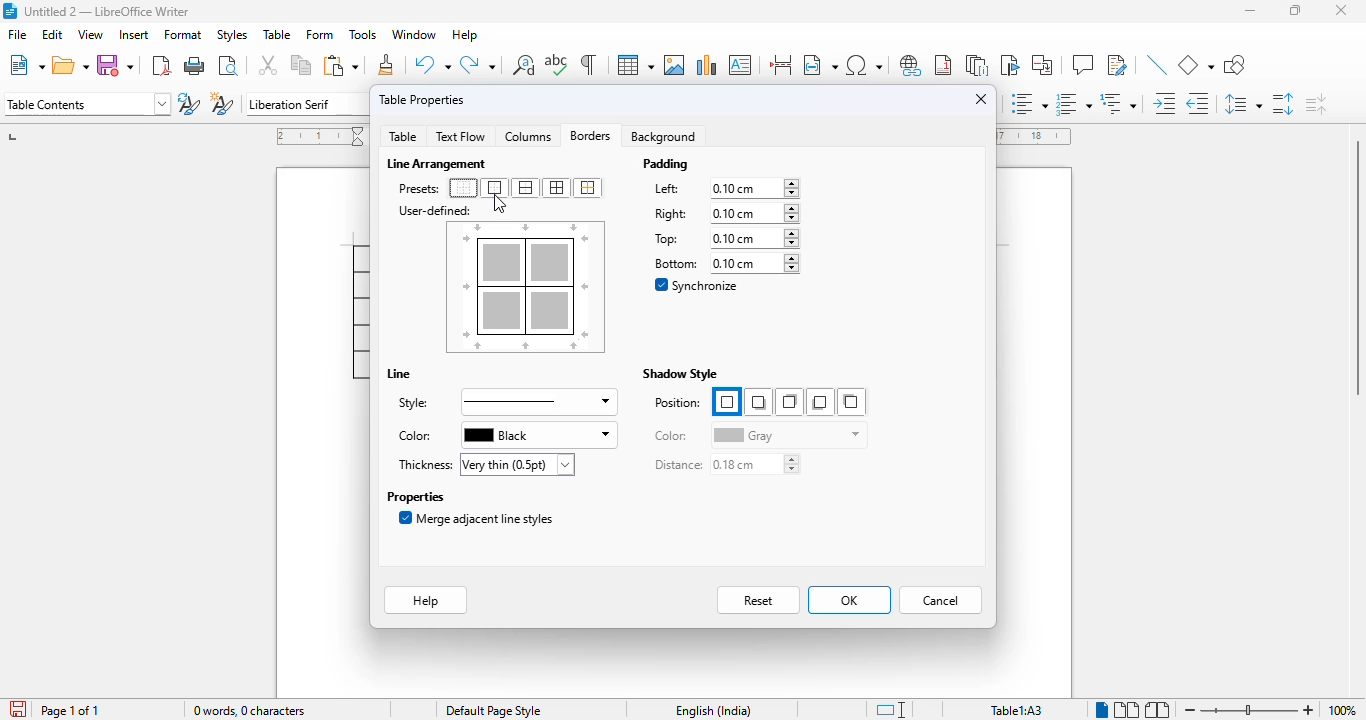 This screenshot has height=720, width=1366. Describe the element at coordinates (18, 709) in the screenshot. I see `click to save the document` at that location.